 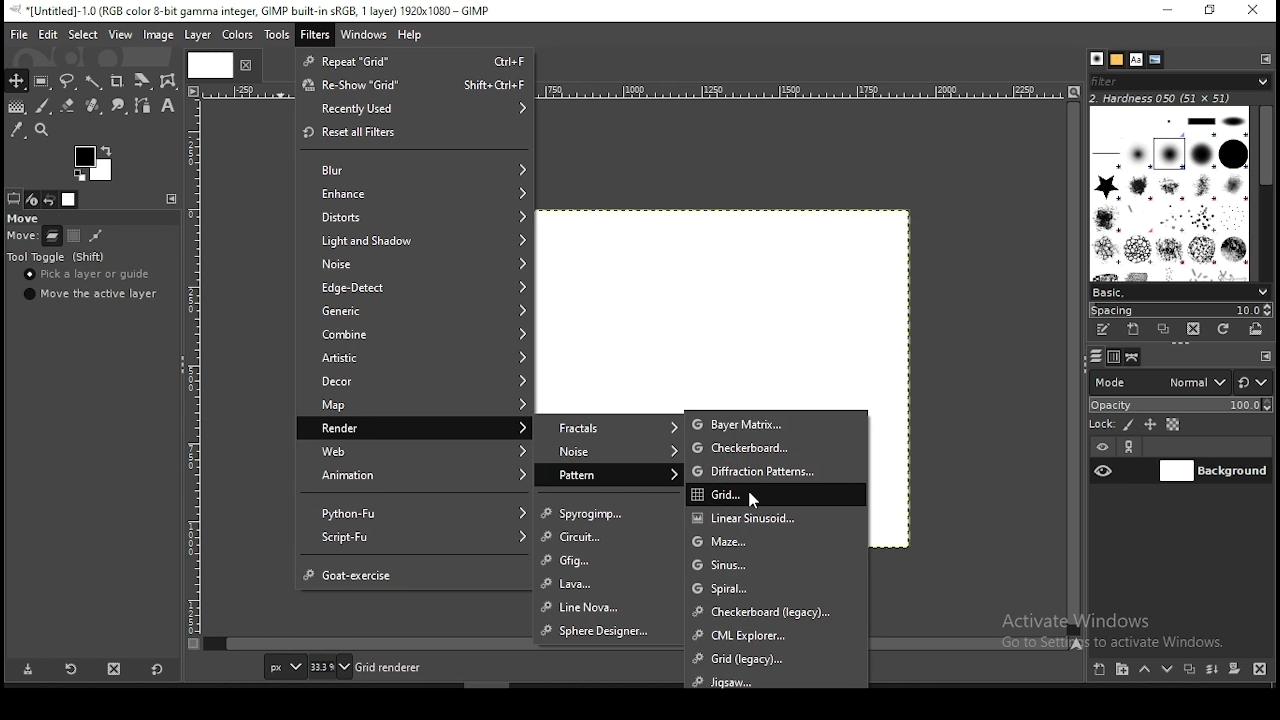 I want to click on tool options, so click(x=15, y=199).